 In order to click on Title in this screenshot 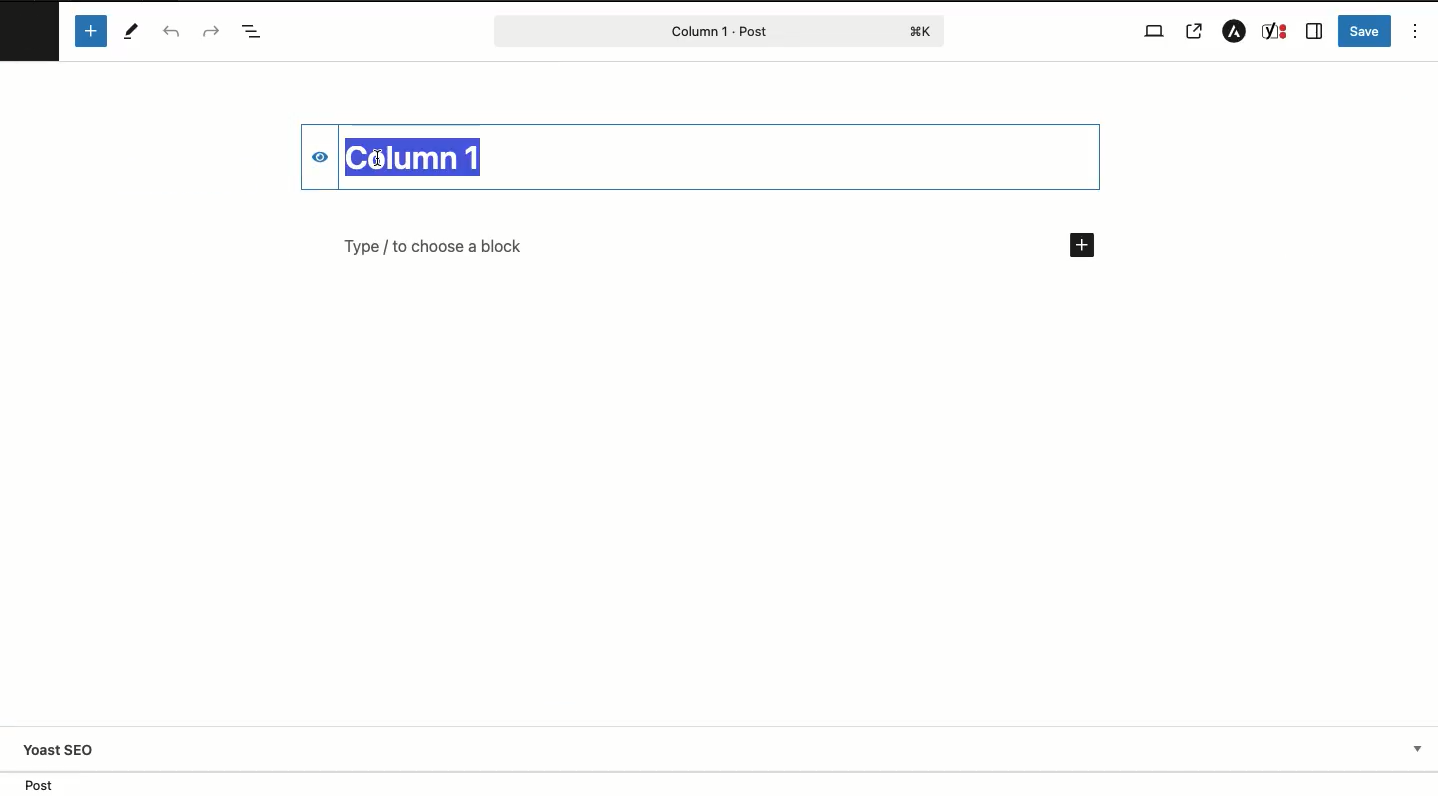, I will do `click(421, 155)`.